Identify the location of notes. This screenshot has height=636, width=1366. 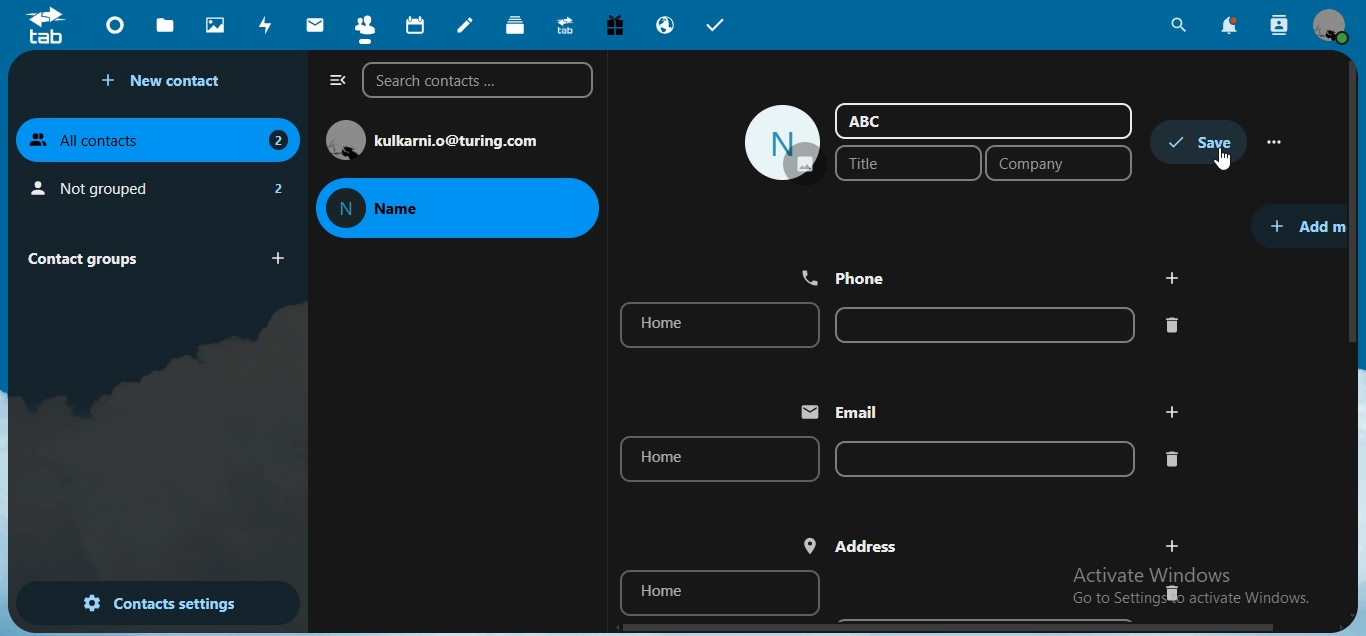
(467, 25).